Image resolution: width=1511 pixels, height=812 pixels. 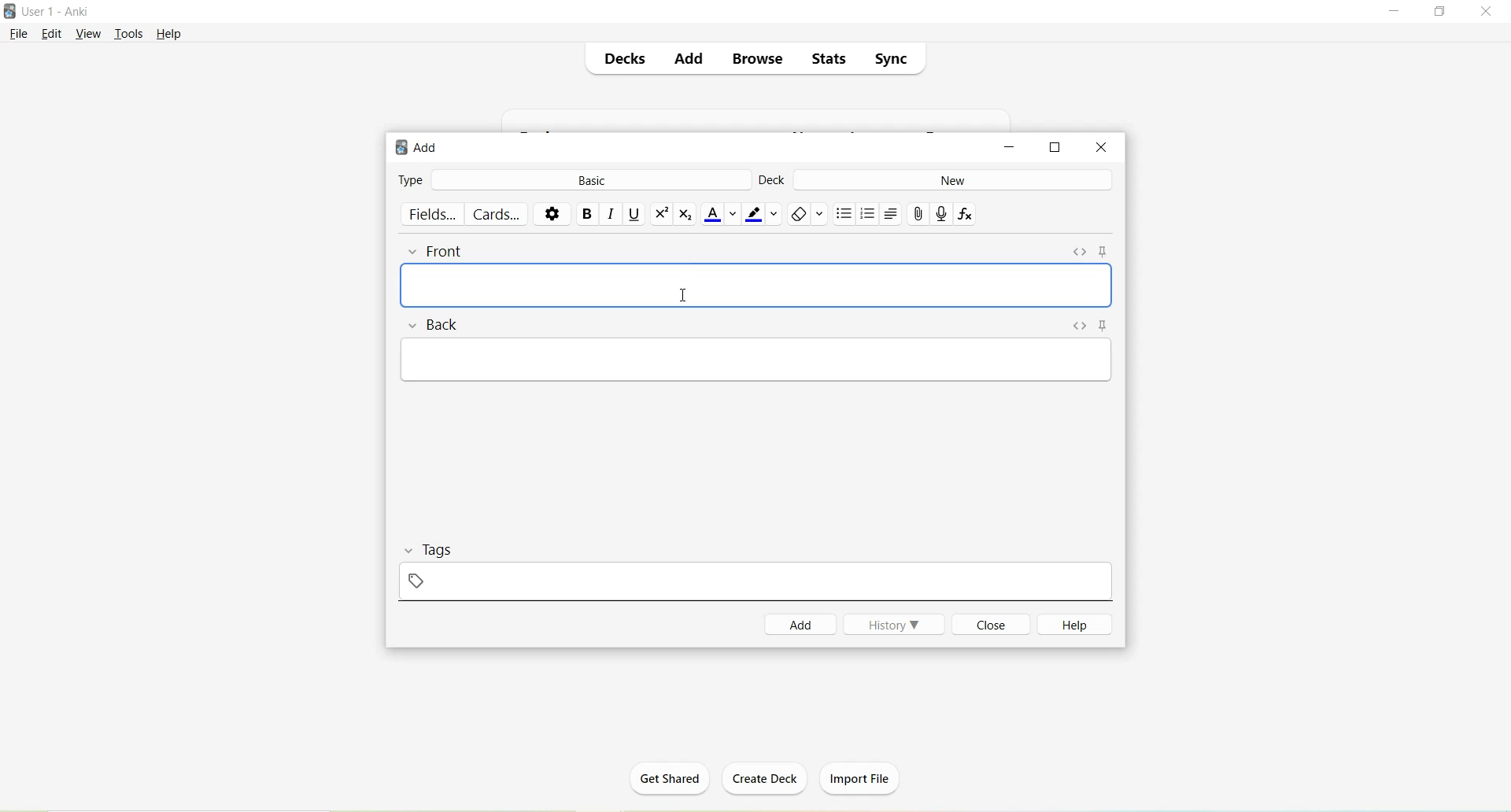 What do you see at coordinates (56, 35) in the screenshot?
I see `Edit` at bounding box center [56, 35].